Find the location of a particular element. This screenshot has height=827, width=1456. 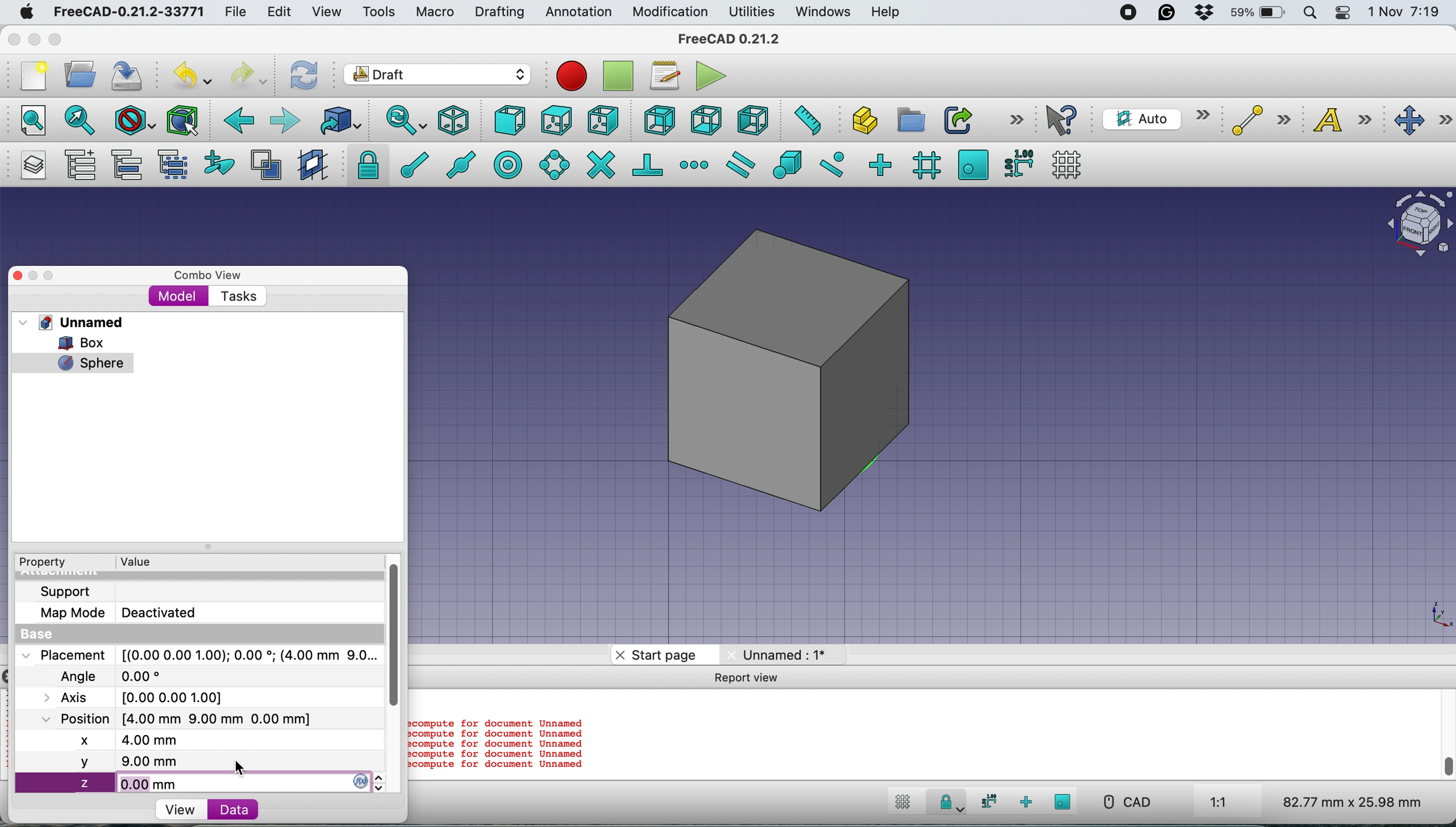

snap grid is located at coordinates (925, 165).